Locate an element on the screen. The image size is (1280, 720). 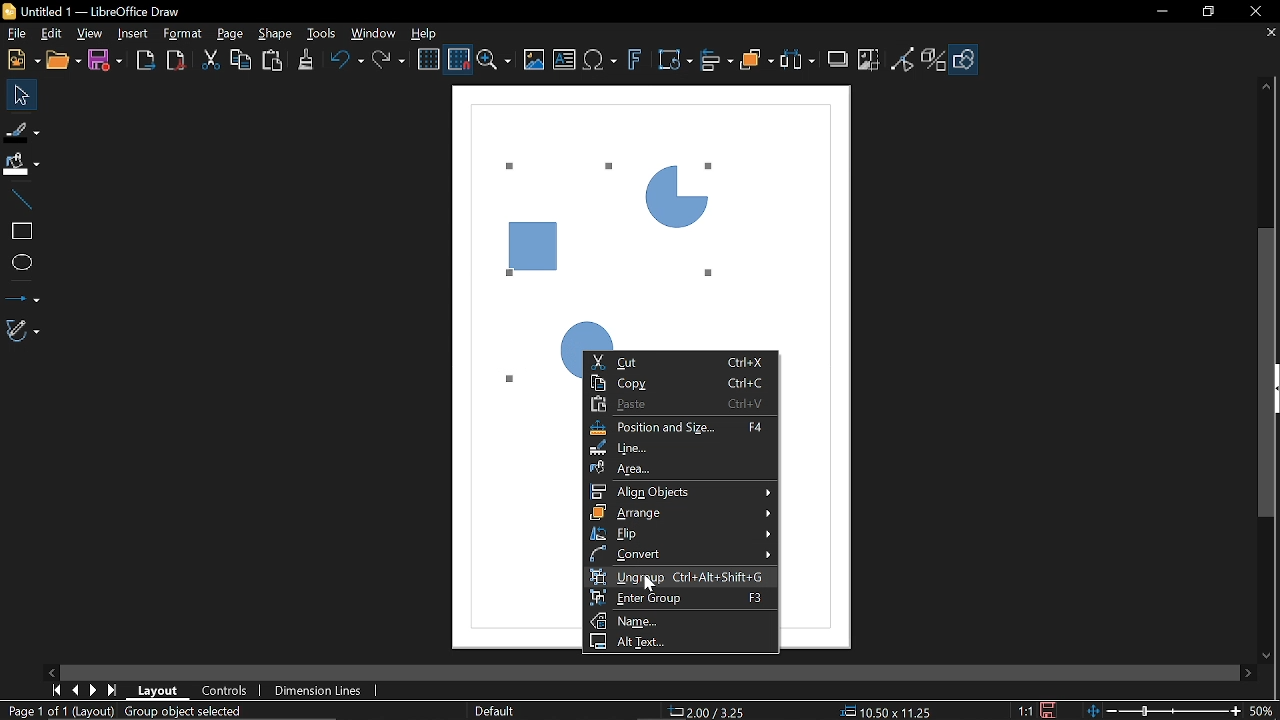
Tools is located at coordinates (319, 34).